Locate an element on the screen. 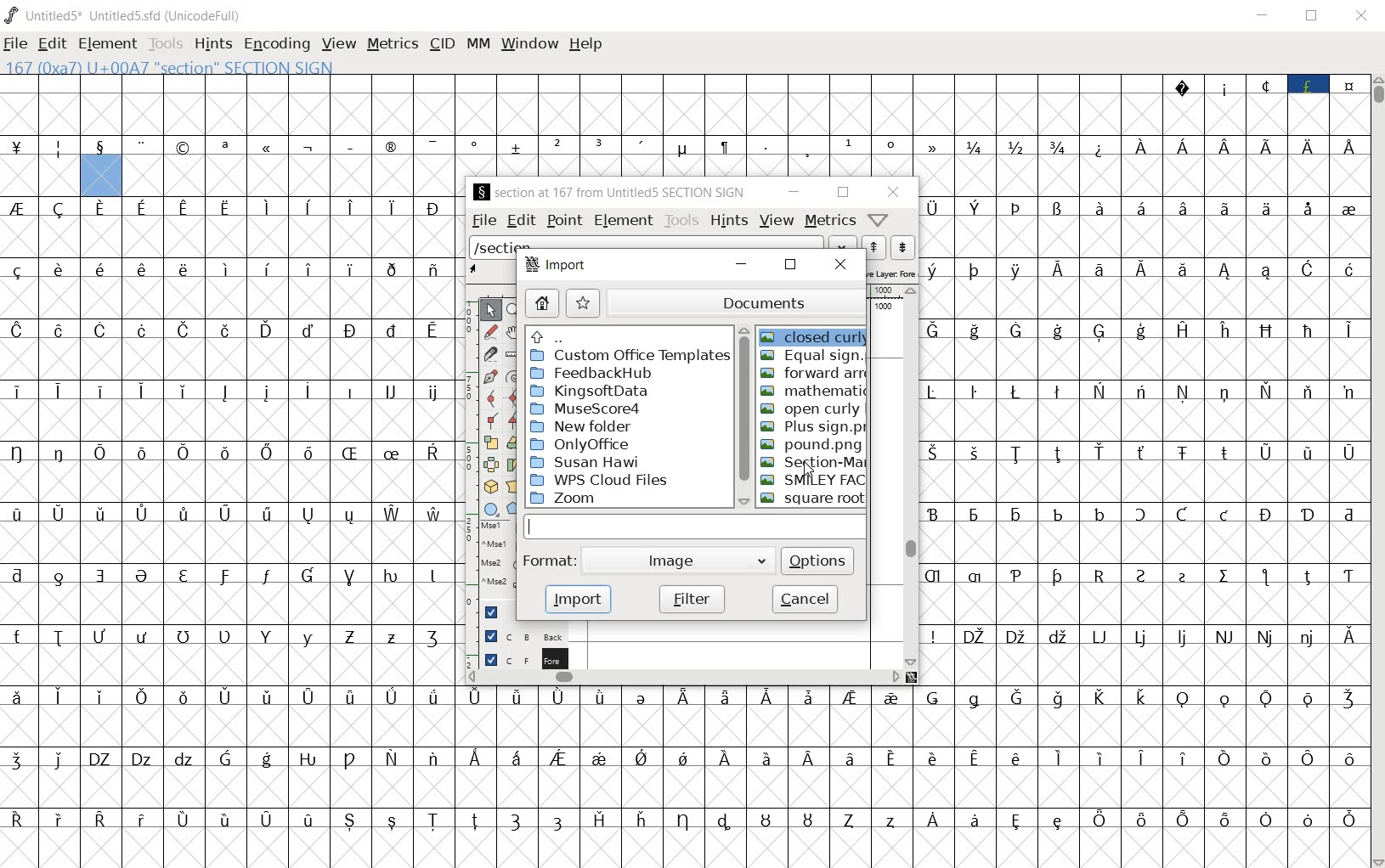  star is located at coordinates (582, 303).